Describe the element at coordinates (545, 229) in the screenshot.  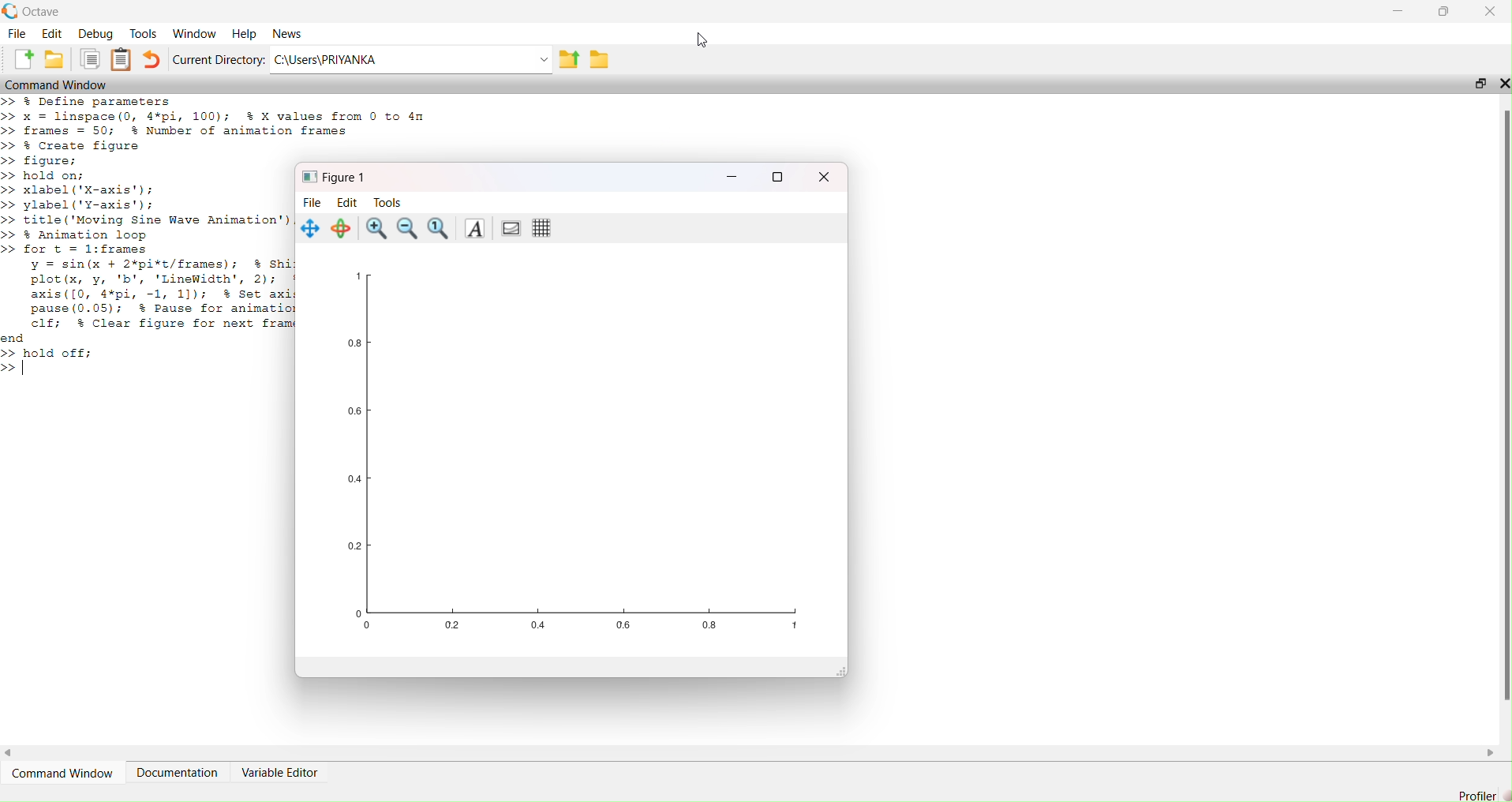
I see `grid` at that location.